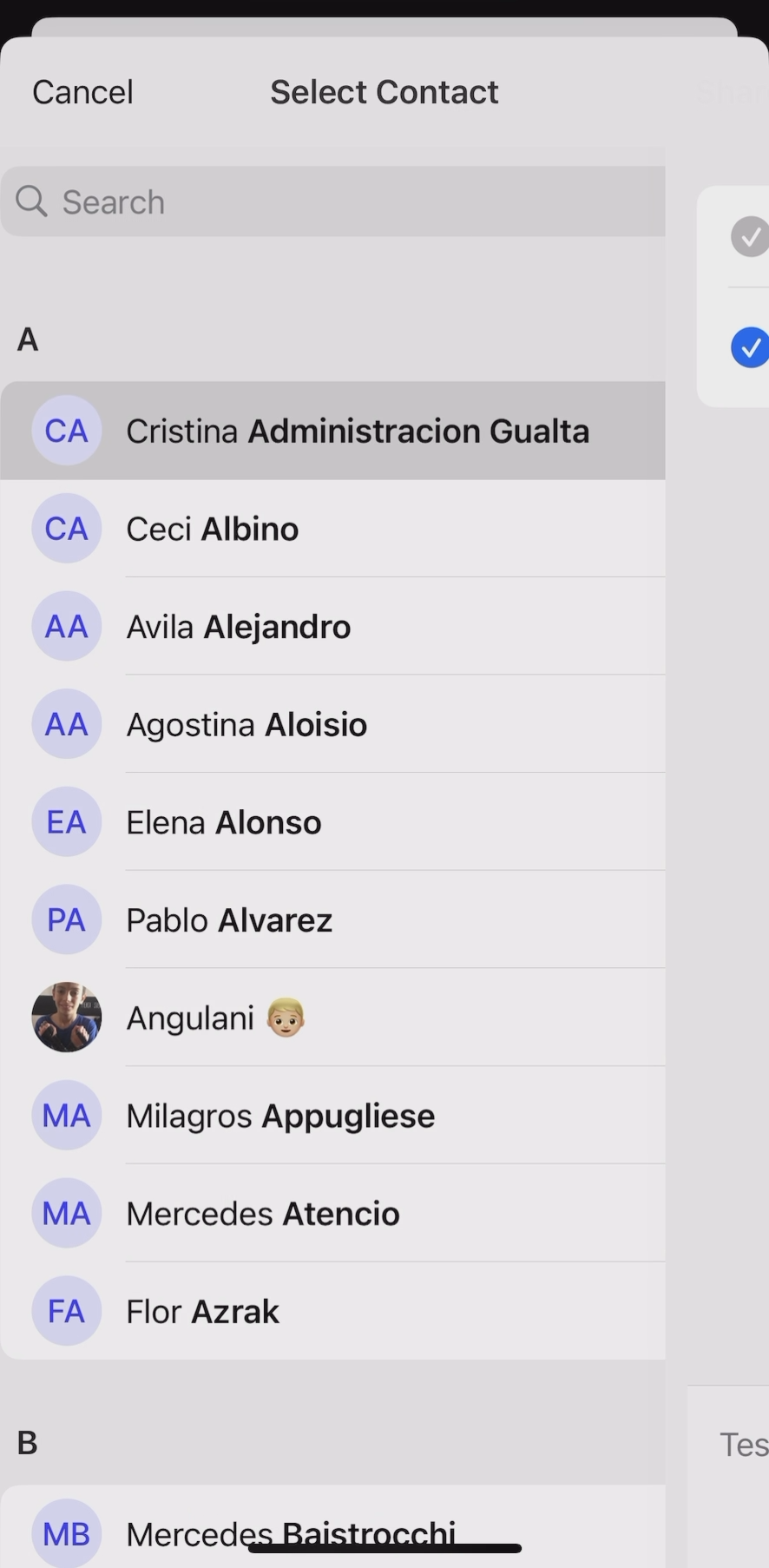  What do you see at coordinates (187, 926) in the screenshot?
I see `Pablo Alvarez` at bounding box center [187, 926].